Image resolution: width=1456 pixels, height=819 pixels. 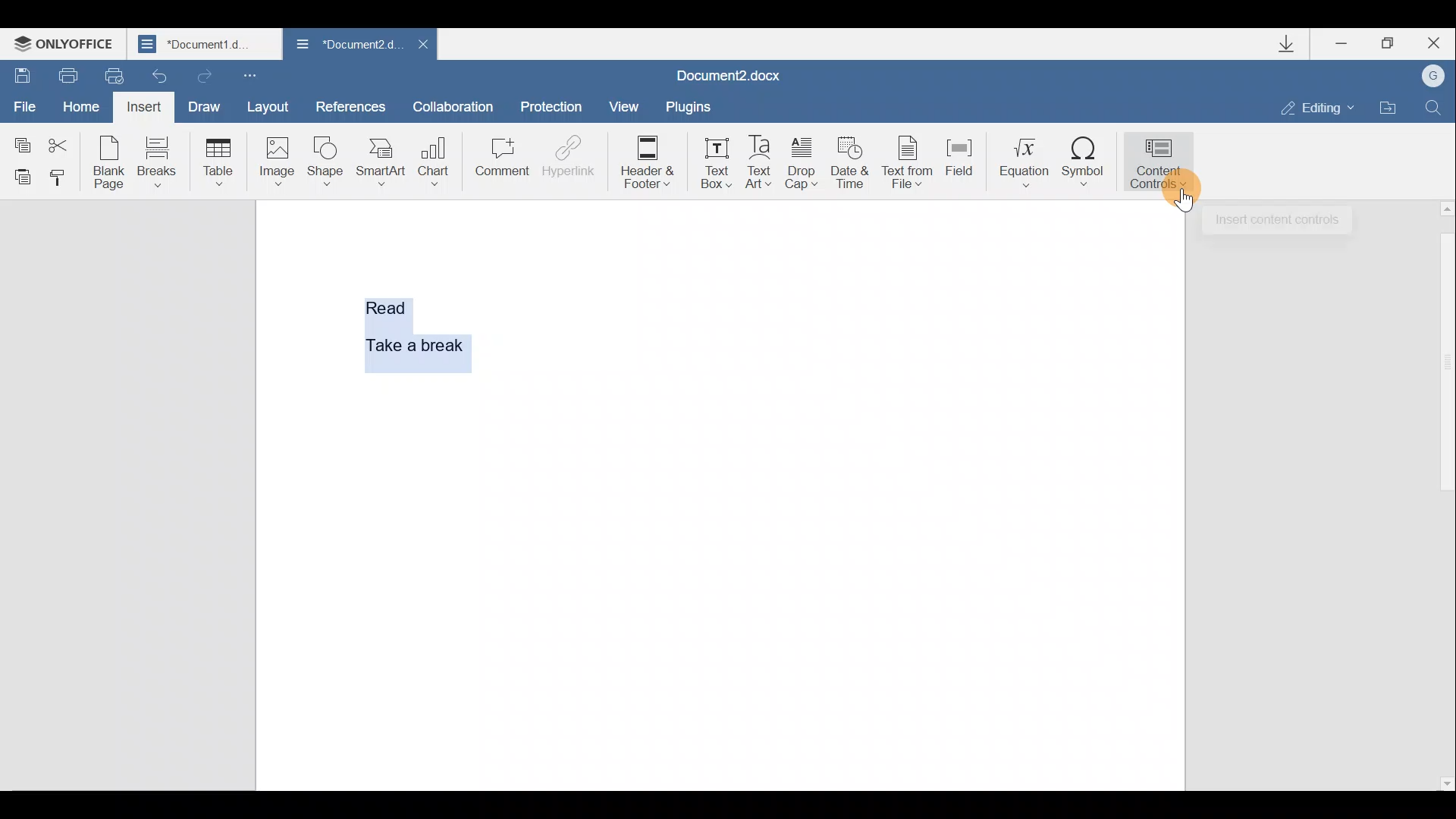 I want to click on Collaboration, so click(x=453, y=104).